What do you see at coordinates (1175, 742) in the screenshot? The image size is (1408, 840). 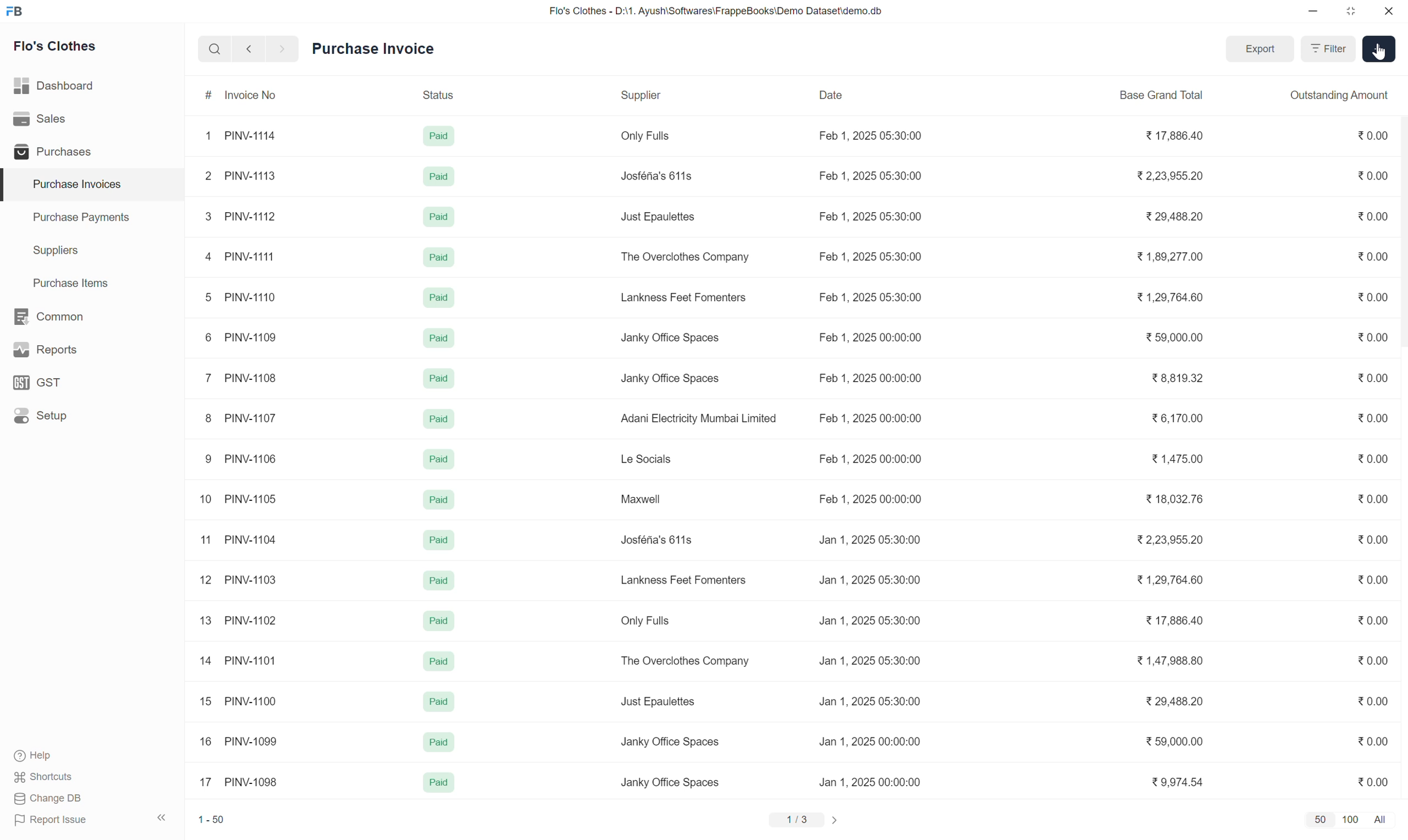 I see `59,000.00` at bounding box center [1175, 742].